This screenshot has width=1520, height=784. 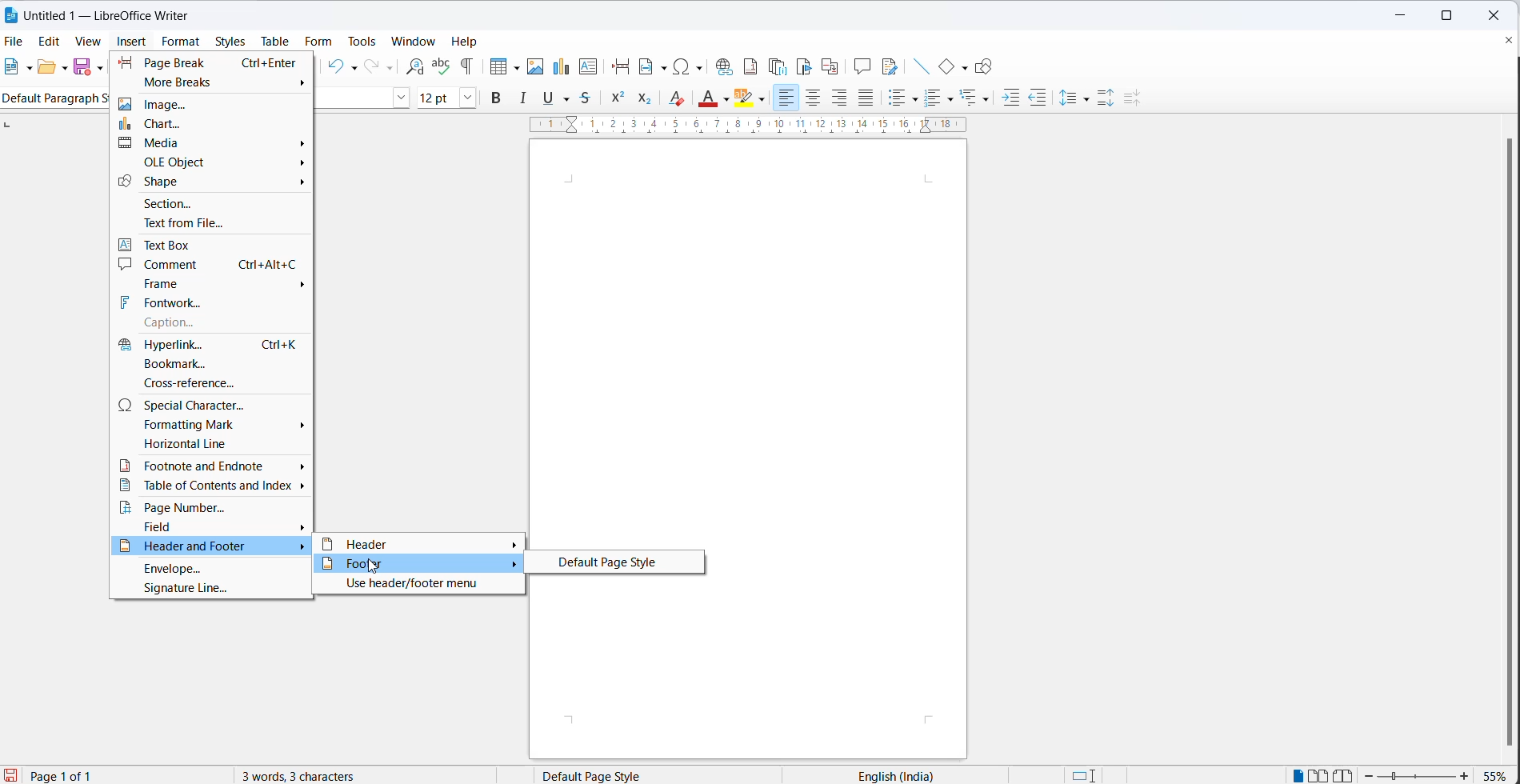 What do you see at coordinates (10, 776) in the screenshot?
I see `save` at bounding box center [10, 776].